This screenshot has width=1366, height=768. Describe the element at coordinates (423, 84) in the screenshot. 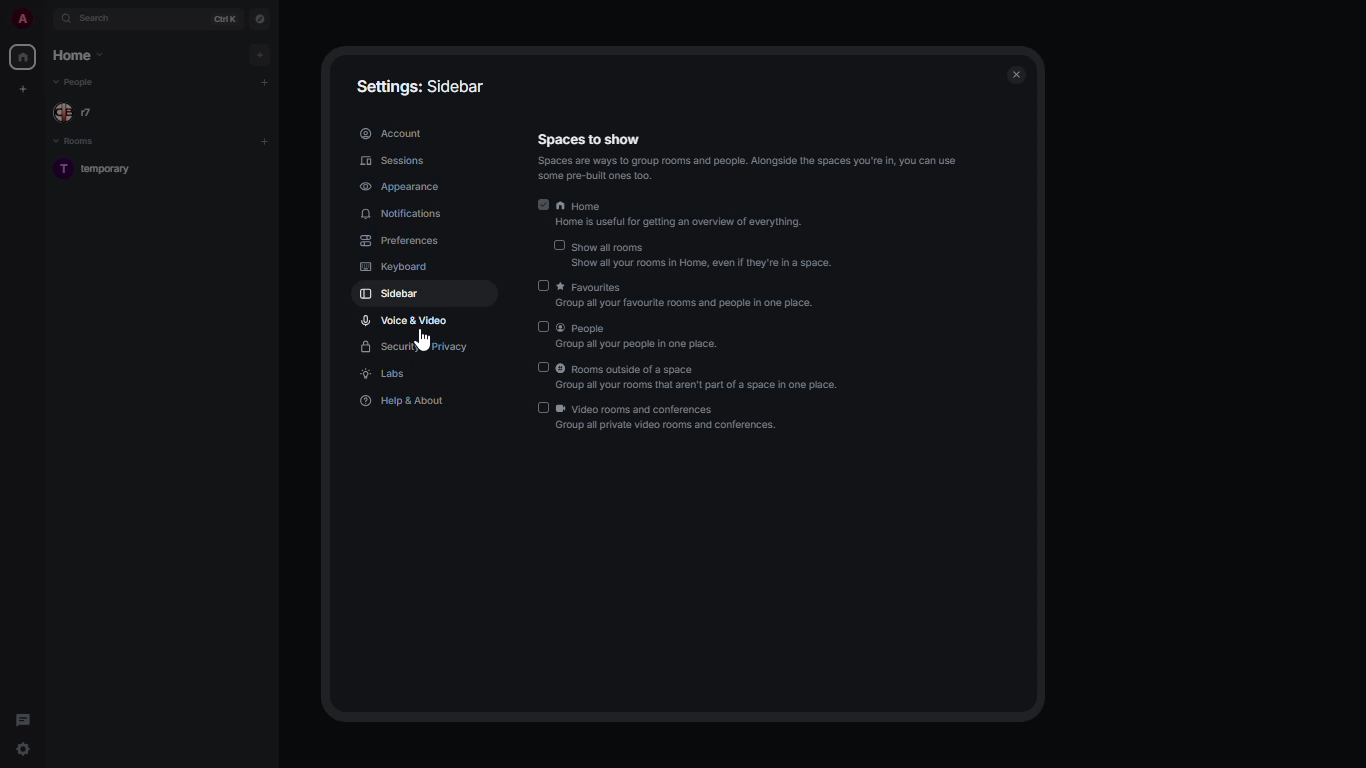

I see `settings: sidebar` at that location.